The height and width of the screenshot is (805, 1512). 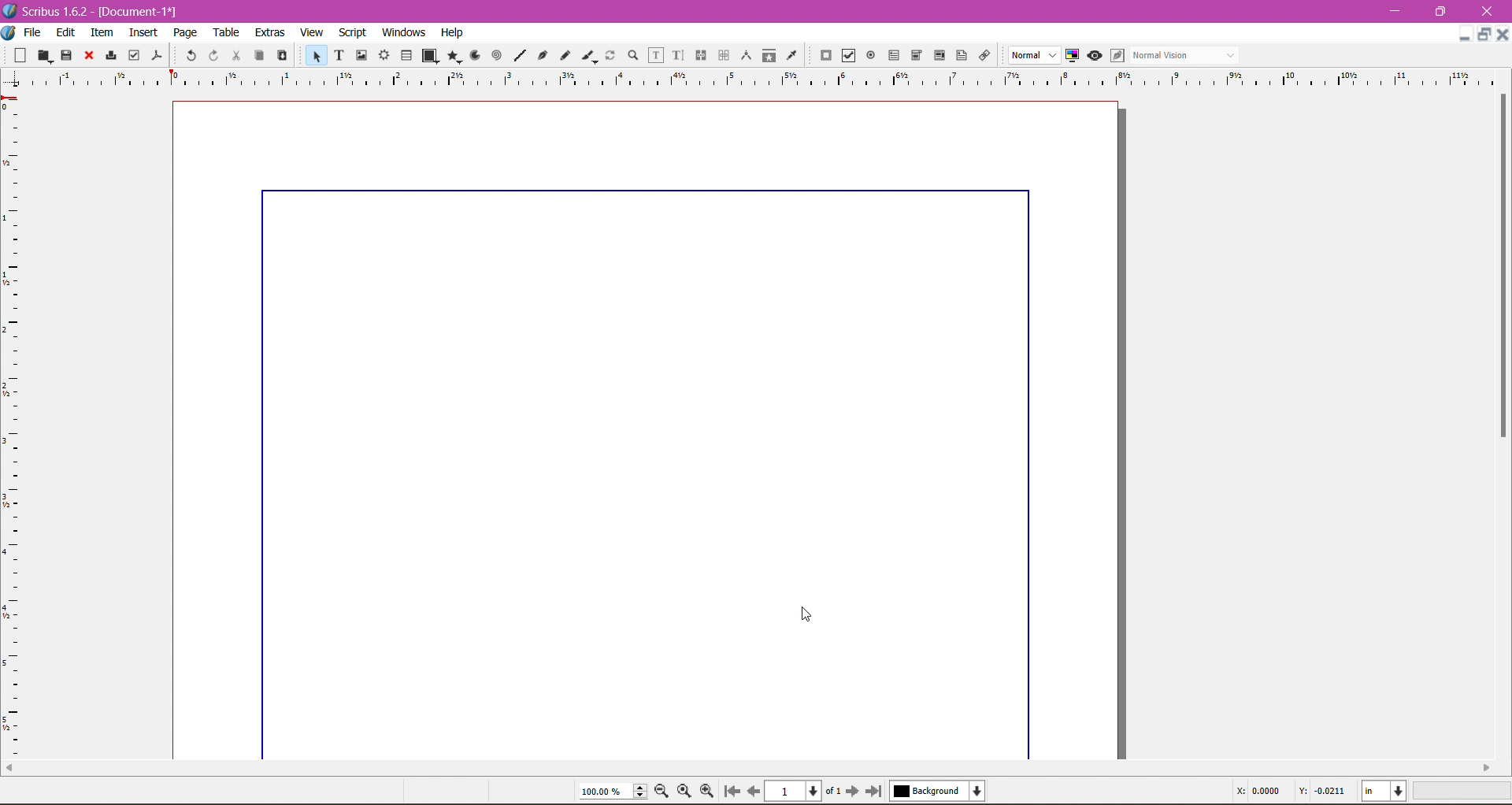 I want to click on Horizontal Scroll Bar, so click(x=748, y=768).